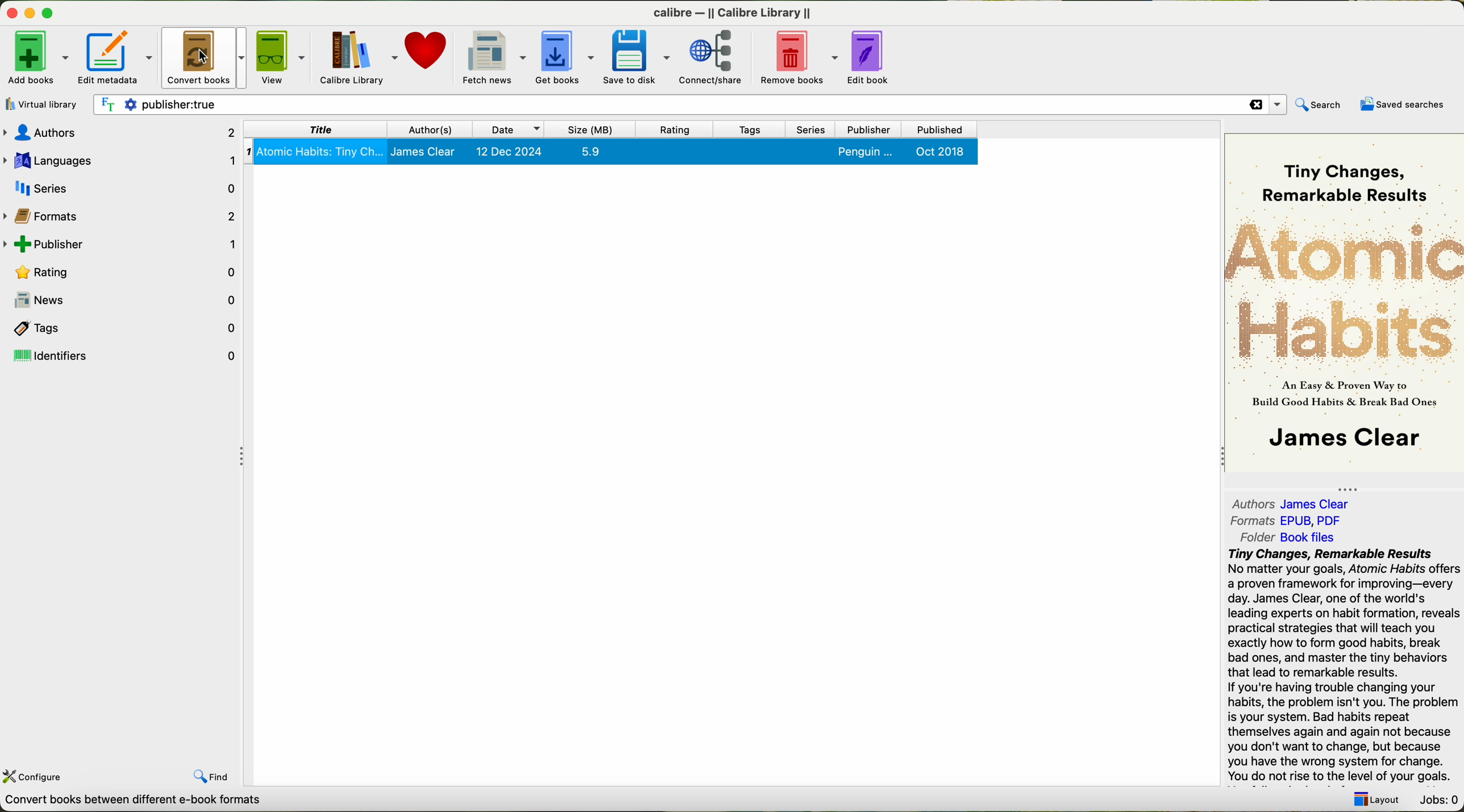 Image resolution: width=1464 pixels, height=812 pixels. What do you see at coordinates (123, 188) in the screenshot?
I see `series` at bounding box center [123, 188].